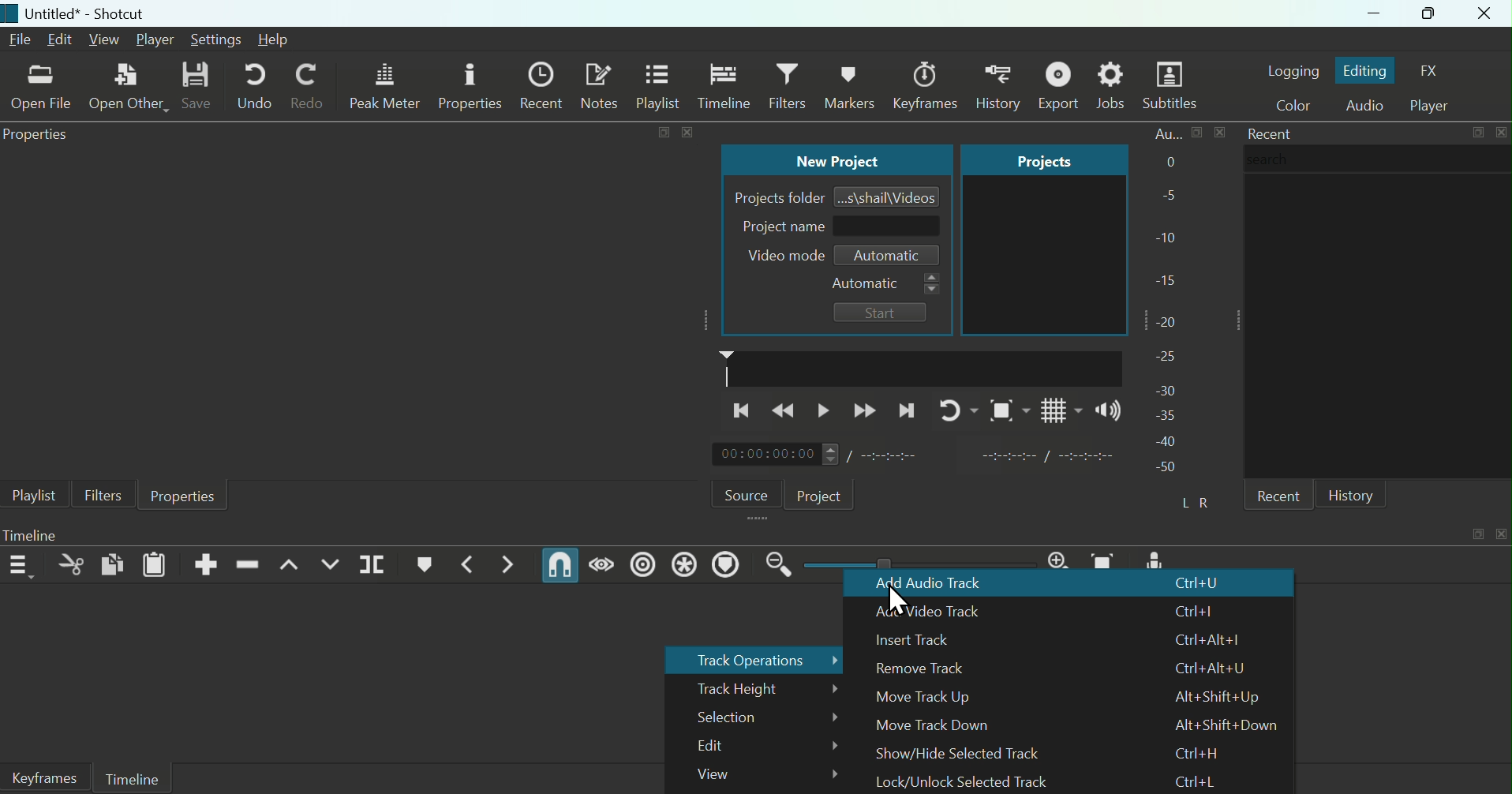  Describe the element at coordinates (102, 493) in the screenshot. I see `Filters` at that location.